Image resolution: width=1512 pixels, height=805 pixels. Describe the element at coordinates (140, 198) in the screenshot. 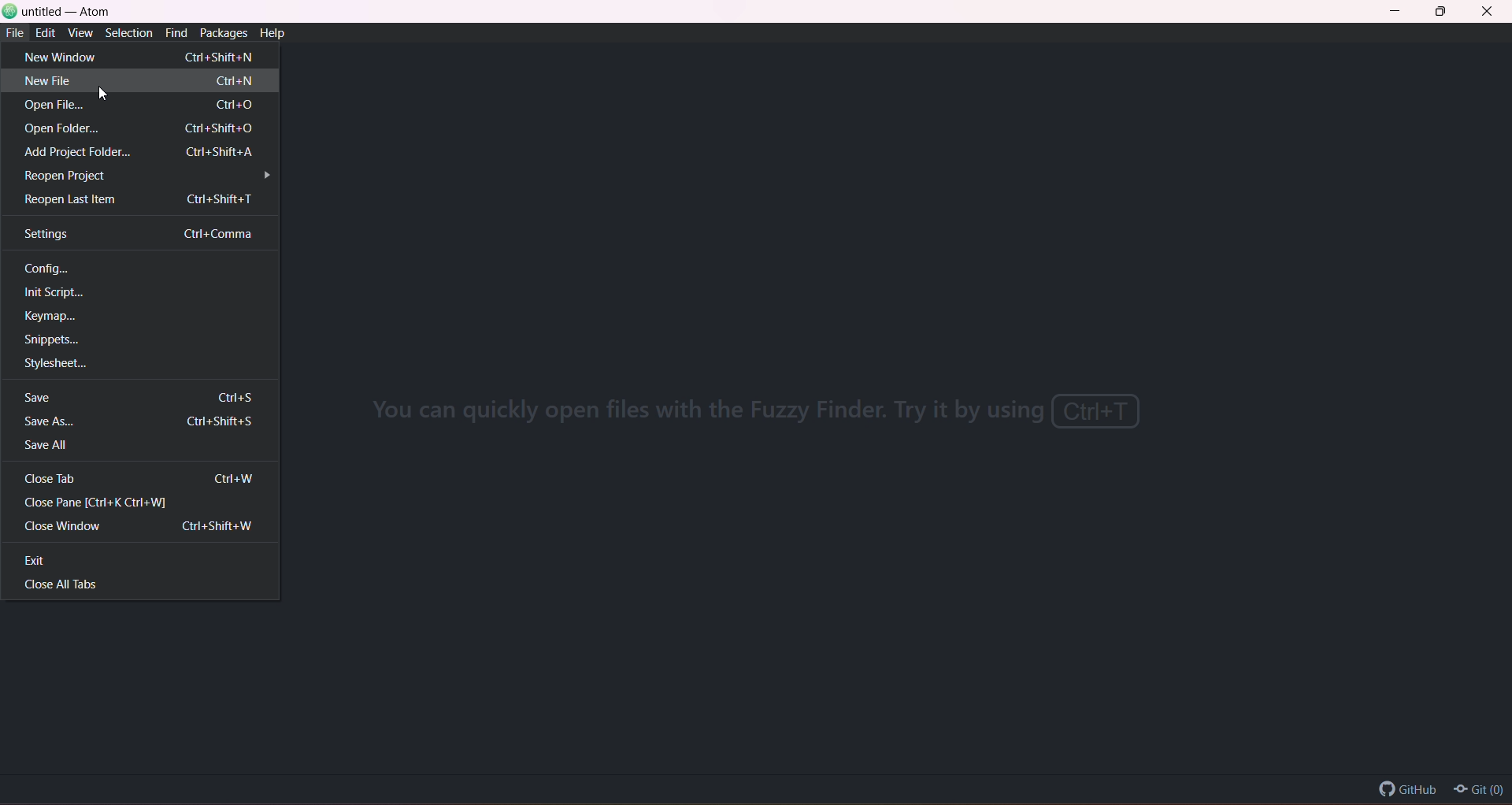

I see `Reopen Last Item Ctrl+Shift+T` at that location.